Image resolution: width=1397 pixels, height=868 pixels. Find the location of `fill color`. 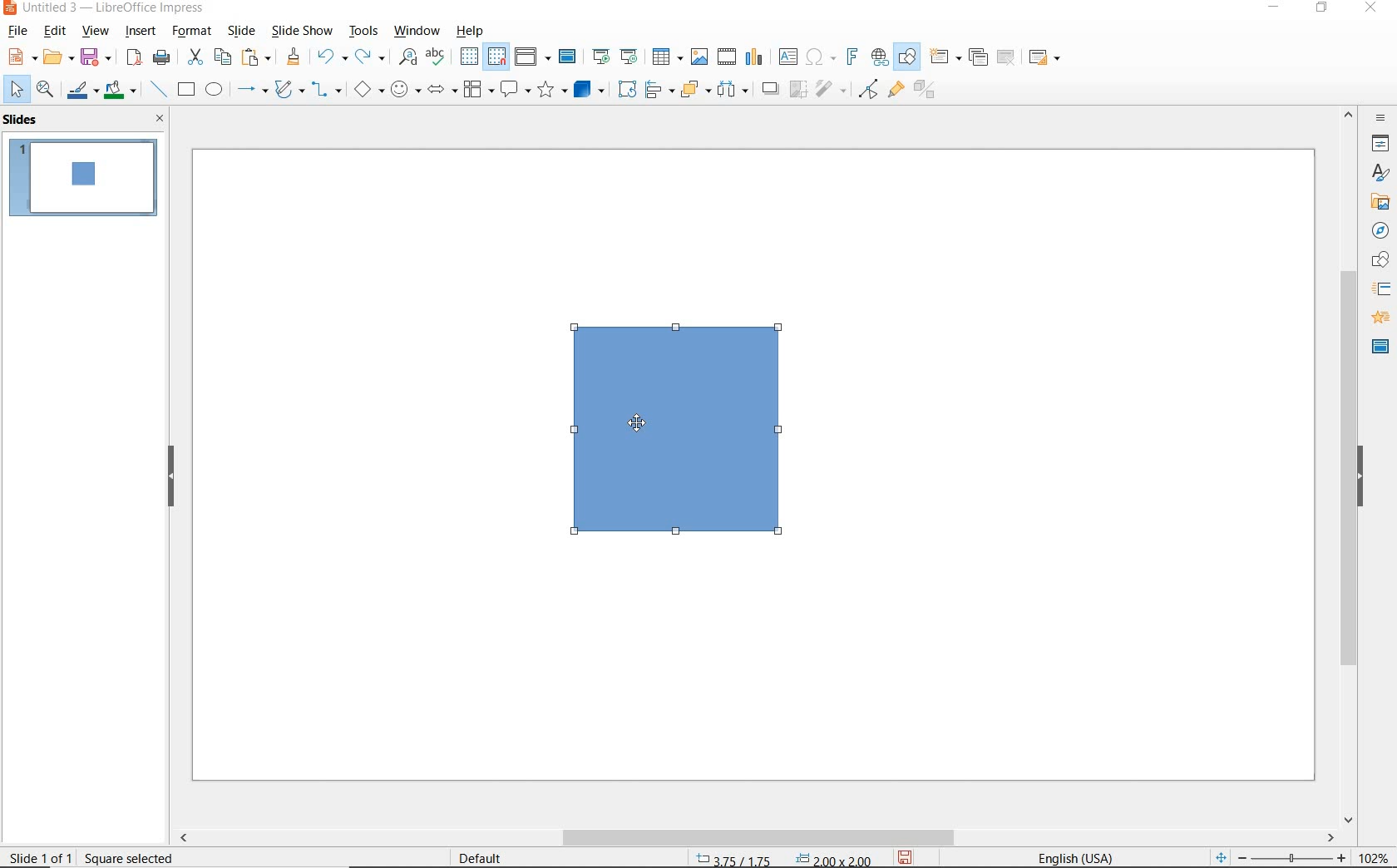

fill color is located at coordinates (122, 90).